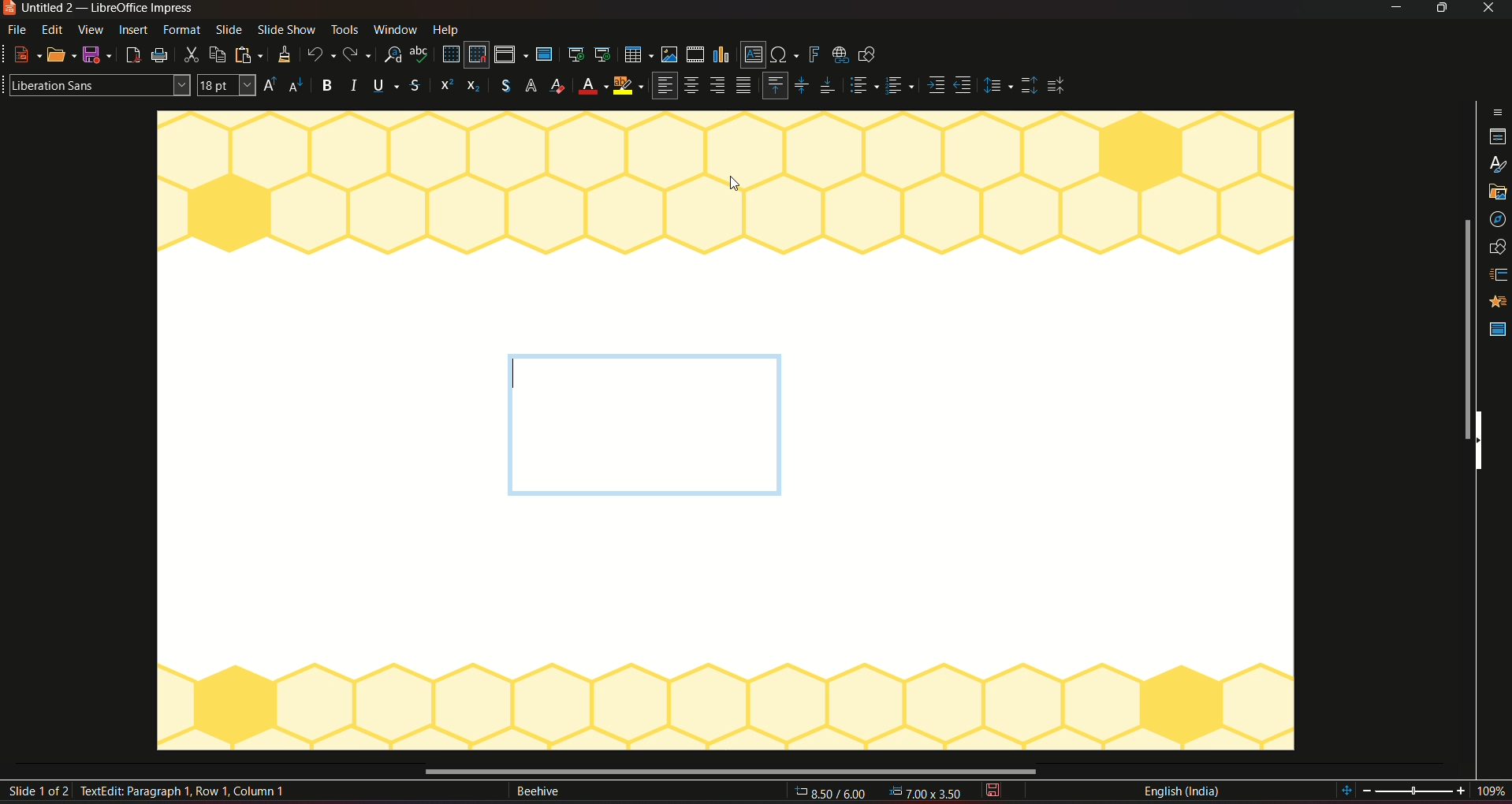  What do you see at coordinates (501, 87) in the screenshot?
I see `currency` at bounding box center [501, 87].